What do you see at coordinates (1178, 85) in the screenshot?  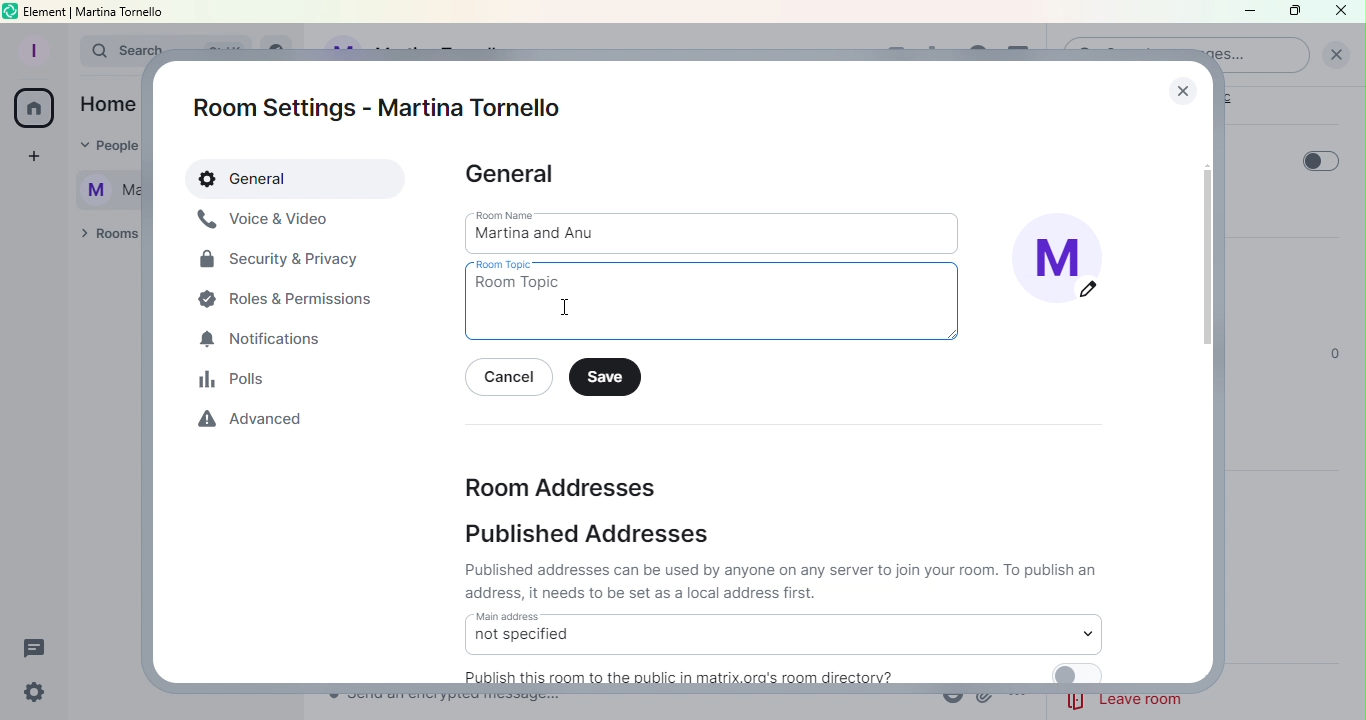 I see `Close` at bounding box center [1178, 85].